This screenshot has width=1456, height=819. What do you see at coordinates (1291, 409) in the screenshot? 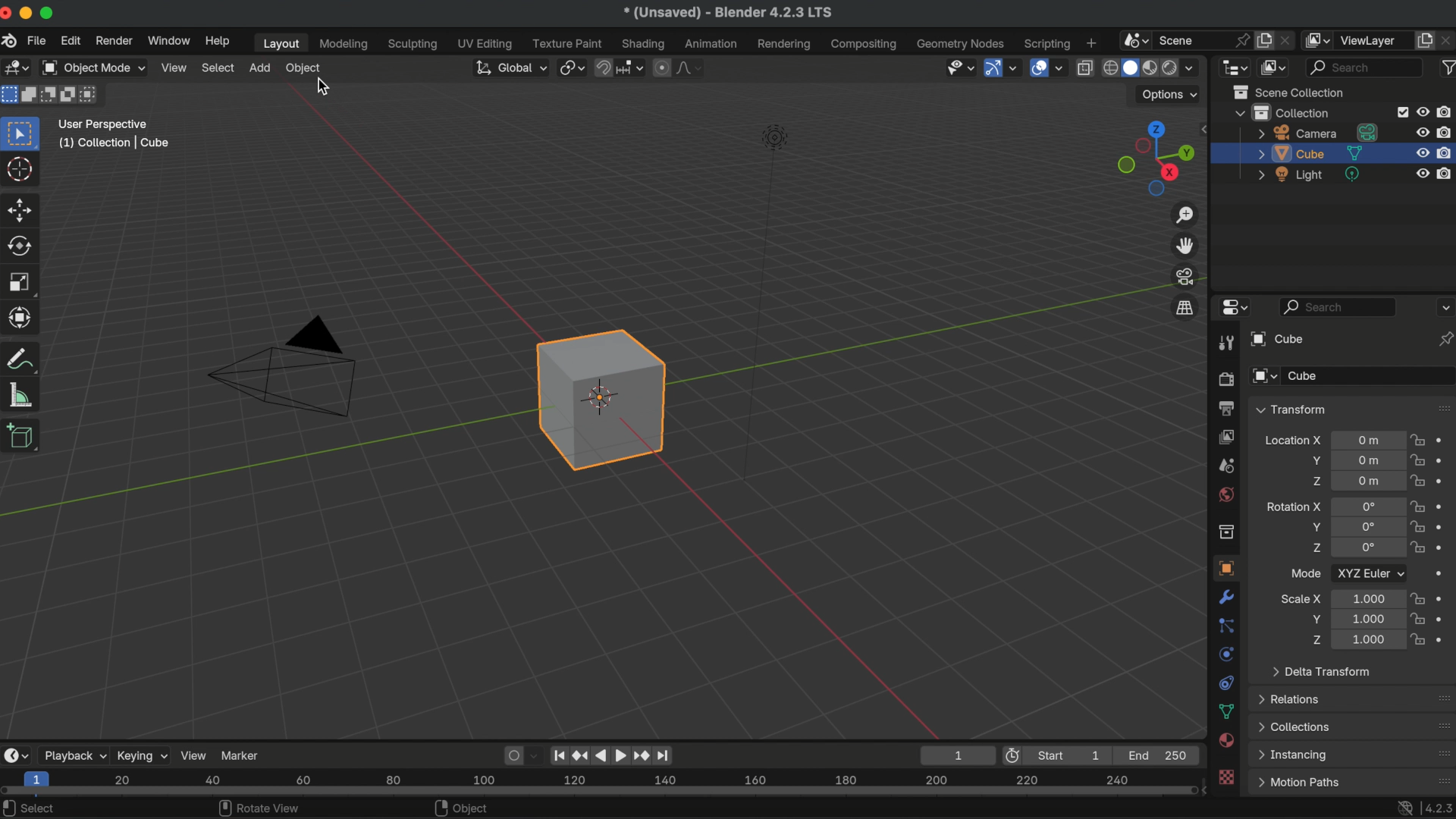
I see `transform dropdown` at bounding box center [1291, 409].